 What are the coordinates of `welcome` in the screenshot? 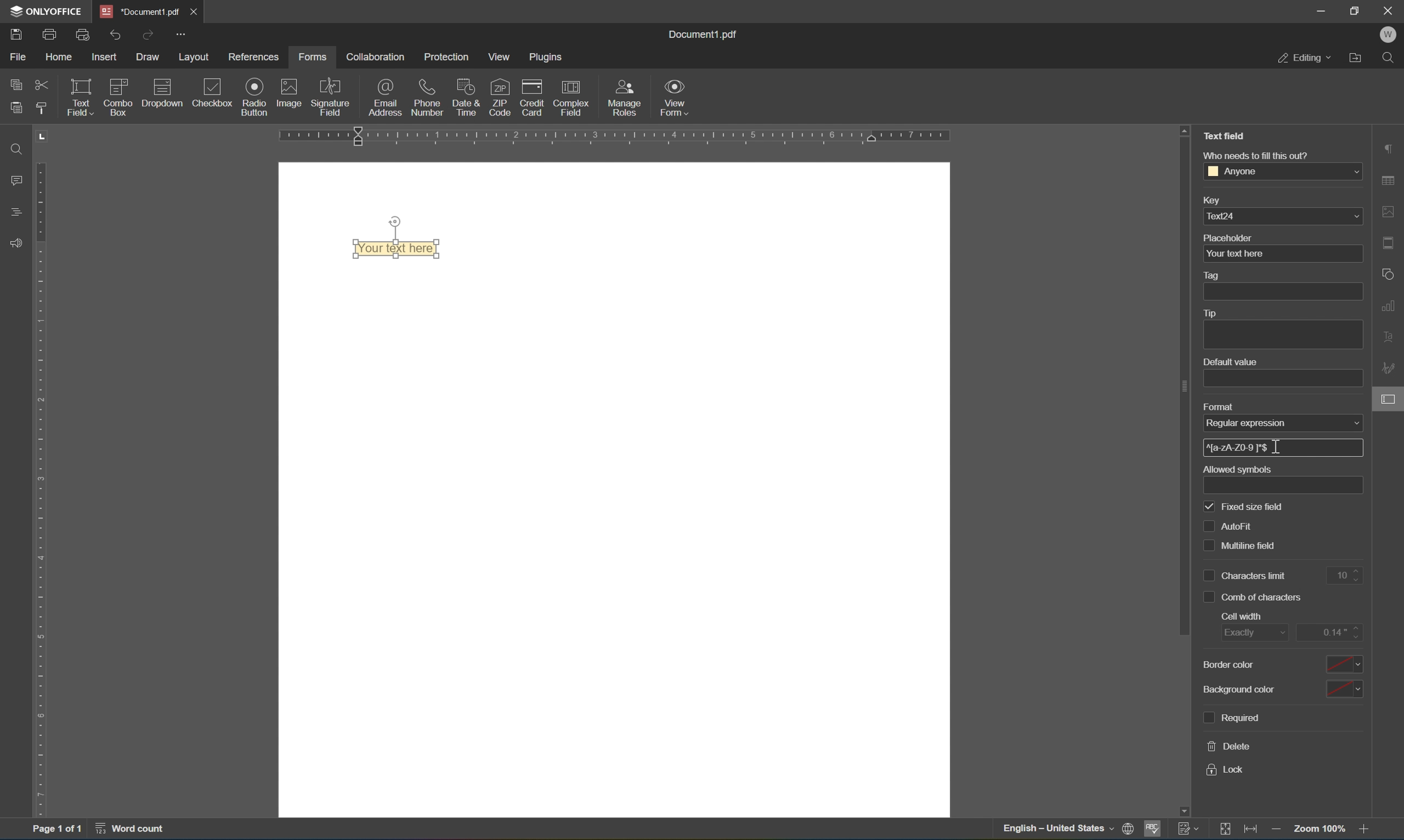 It's located at (1388, 35).